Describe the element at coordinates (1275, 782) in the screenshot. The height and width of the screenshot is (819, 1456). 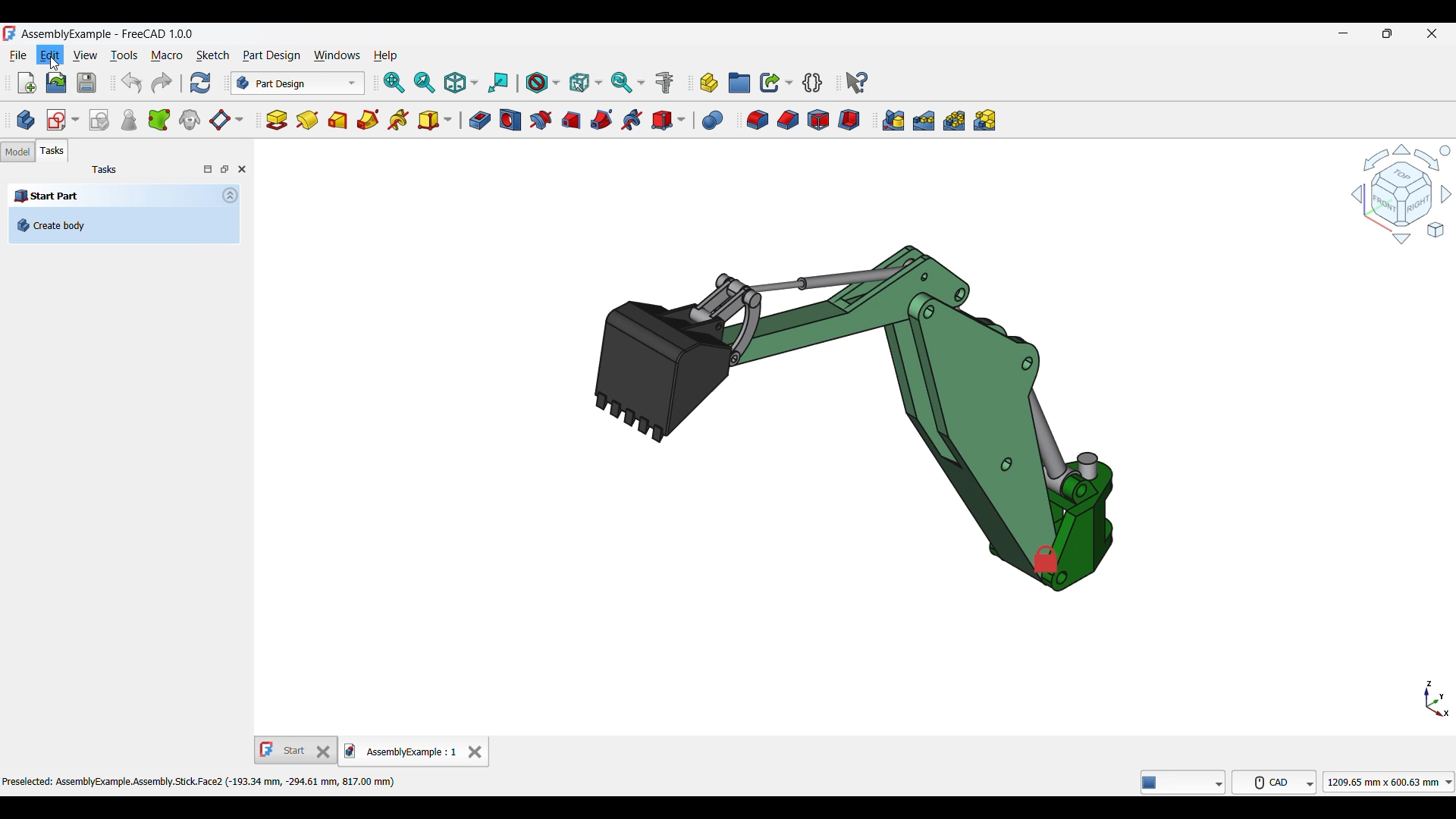
I see `cad` at that location.